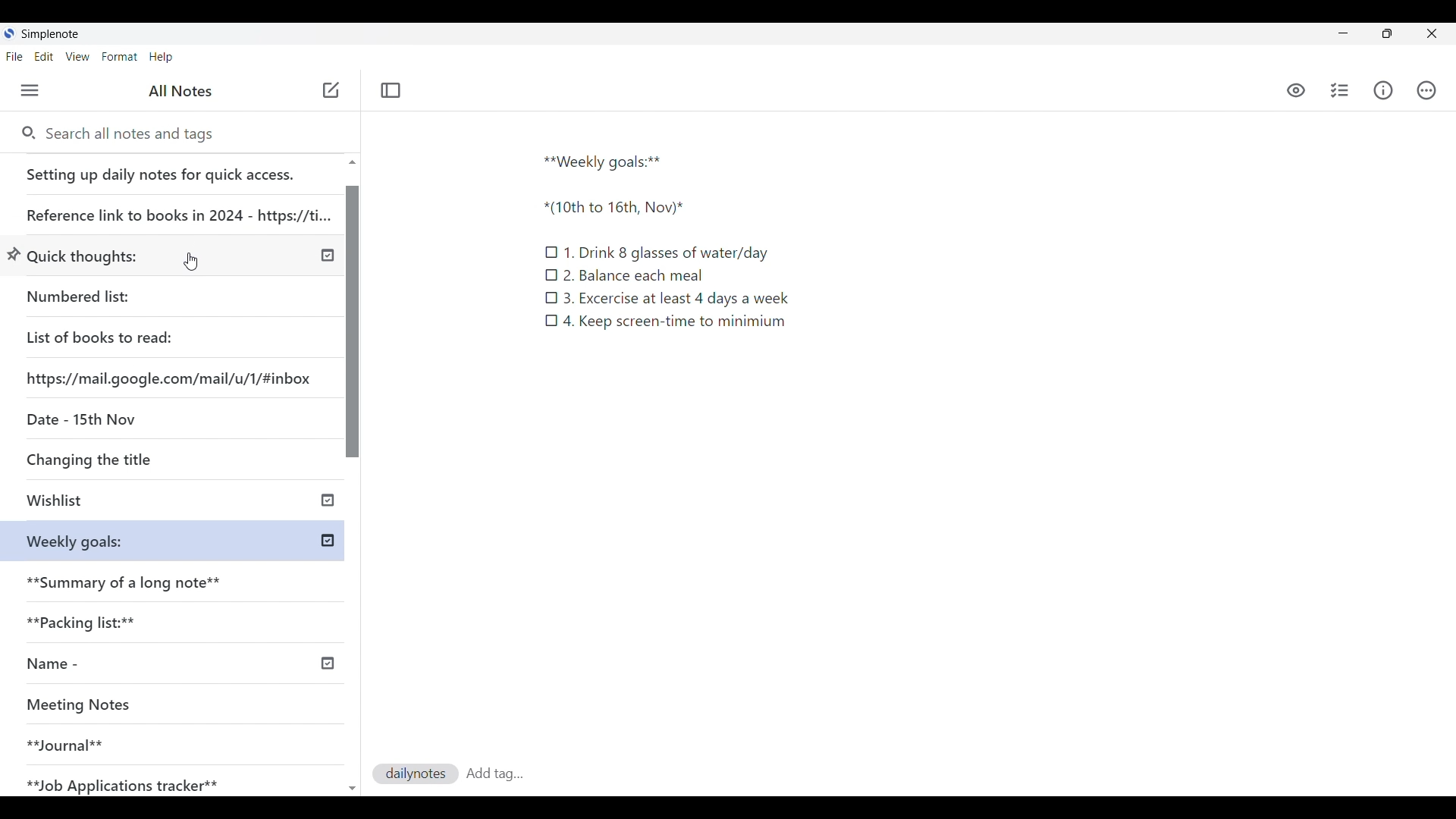 The image size is (1456, 819). Describe the element at coordinates (121, 459) in the screenshot. I see `Changing the title` at that location.